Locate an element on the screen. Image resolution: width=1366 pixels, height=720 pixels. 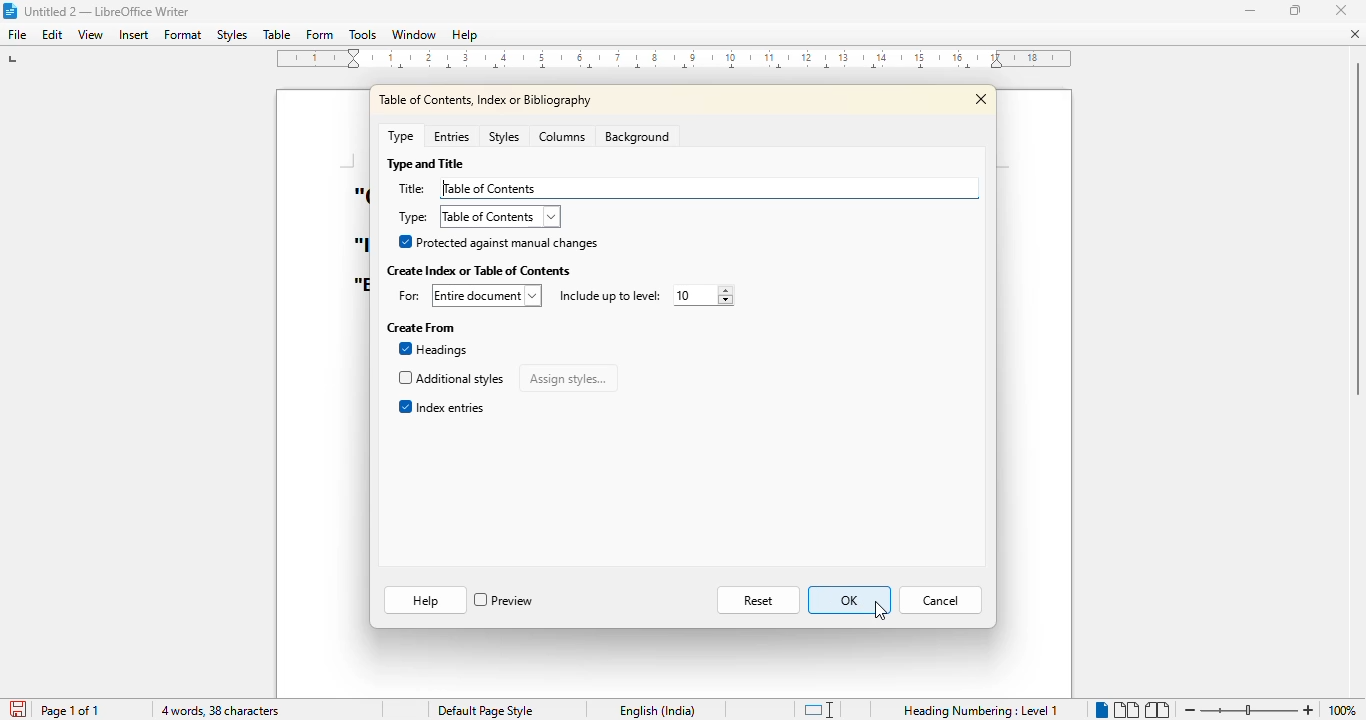
title:  is located at coordinates (412, 188).